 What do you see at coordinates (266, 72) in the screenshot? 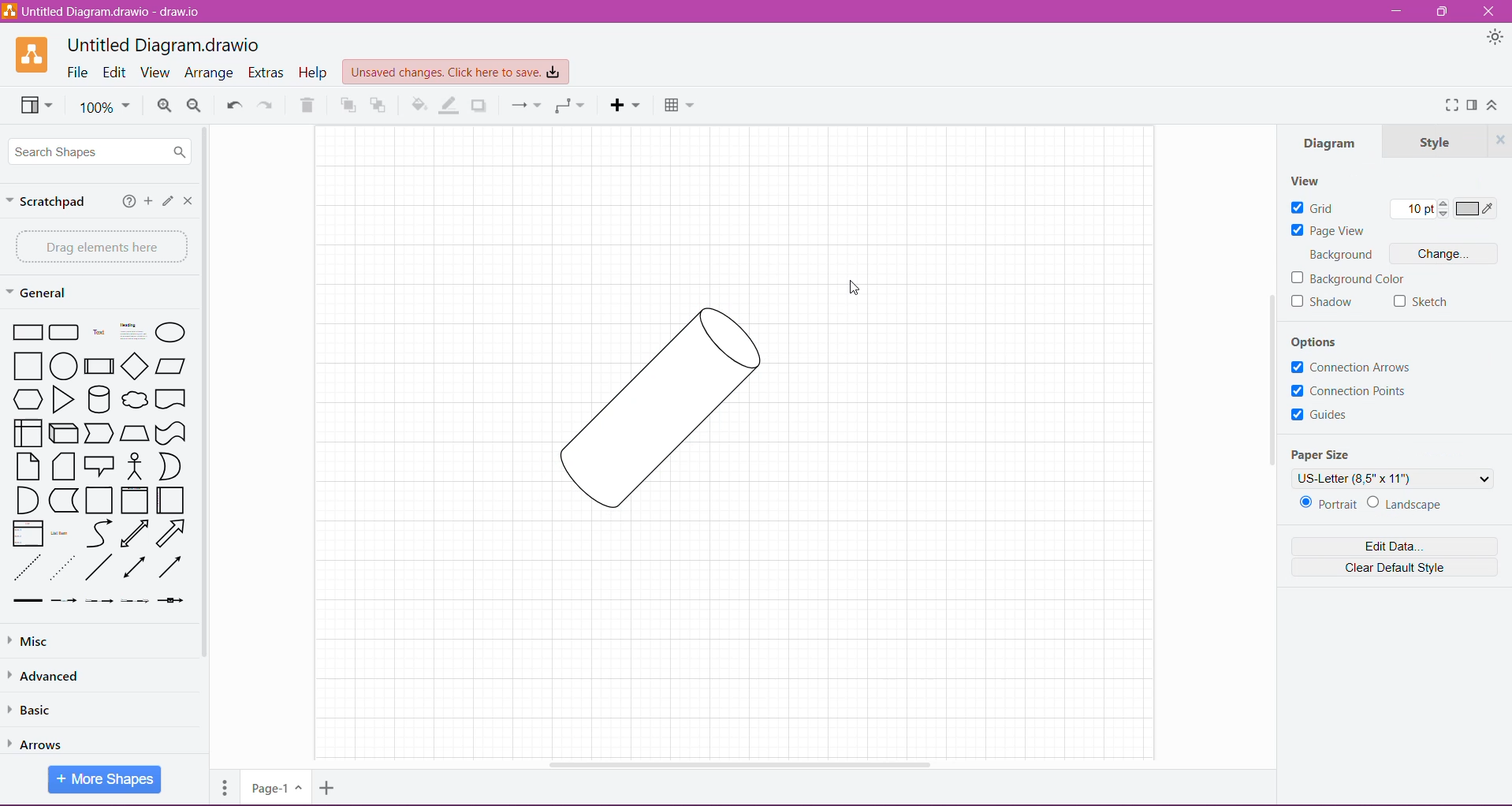
I see `Extras` at bounding box center [266, 72].